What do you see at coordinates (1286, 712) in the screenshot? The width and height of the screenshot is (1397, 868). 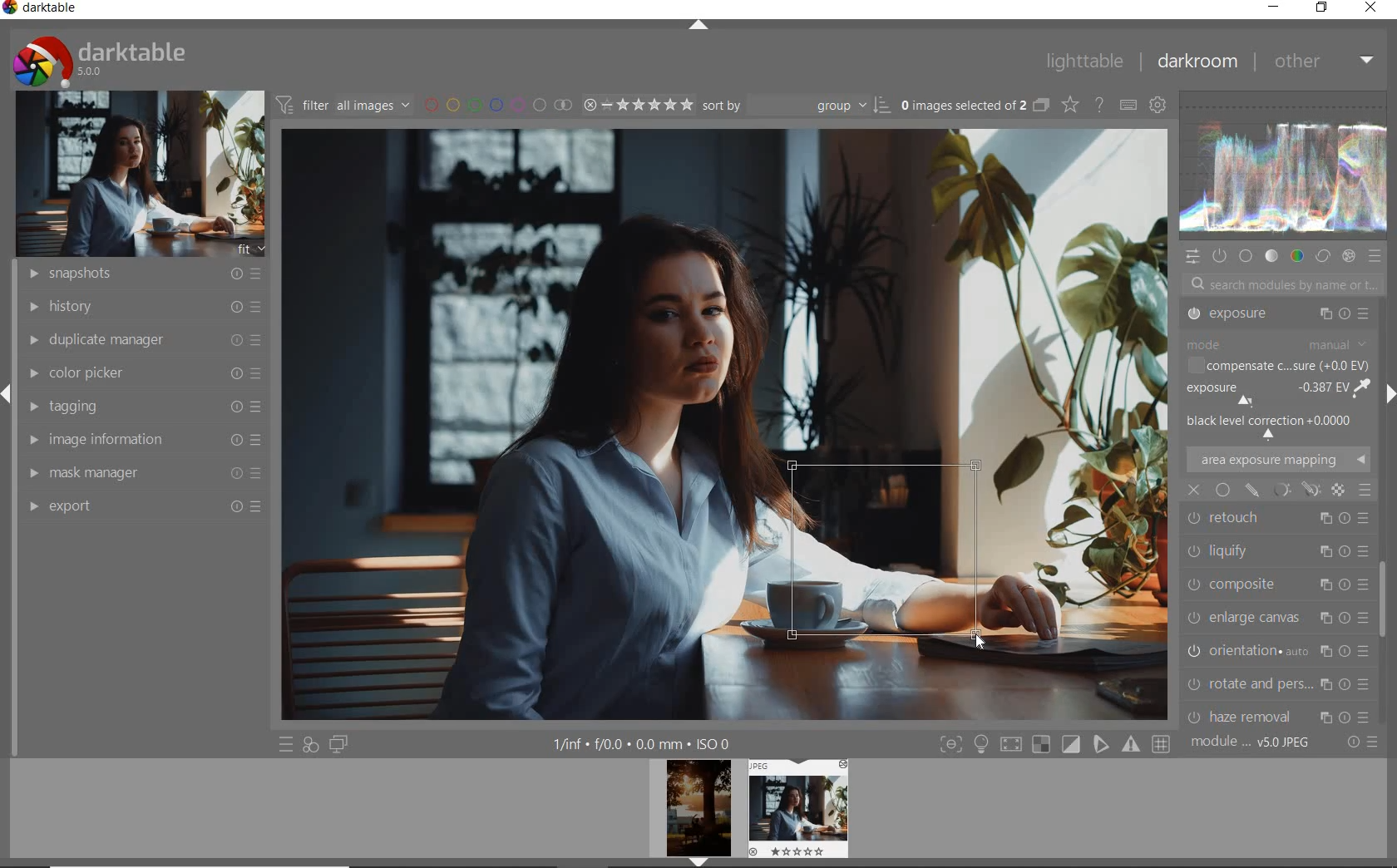 I see `SCALE PIXELS` at bounding box center [1286, 712].